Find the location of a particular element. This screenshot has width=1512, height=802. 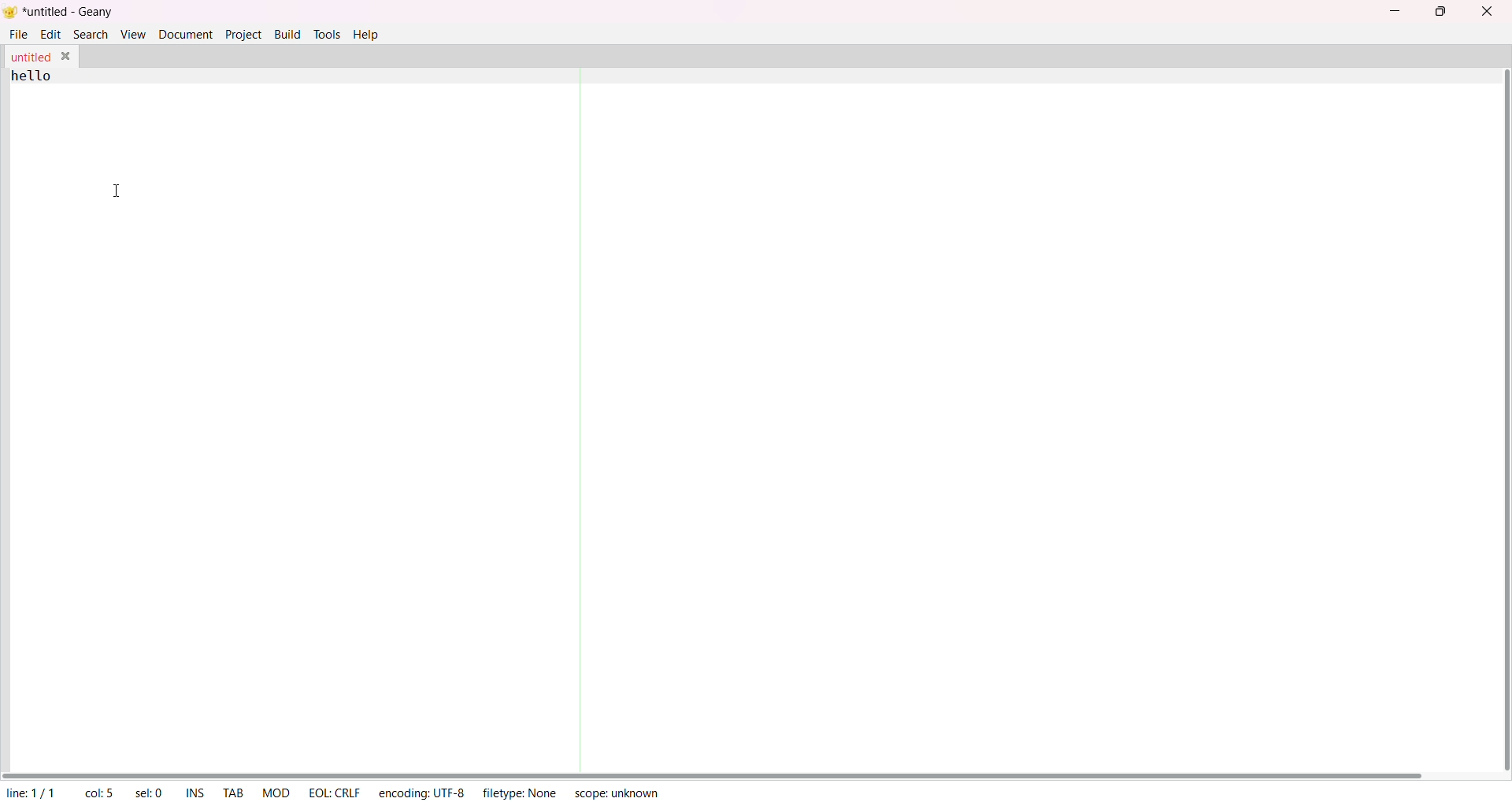

scope: unknown is located at coordinates (617, 792).